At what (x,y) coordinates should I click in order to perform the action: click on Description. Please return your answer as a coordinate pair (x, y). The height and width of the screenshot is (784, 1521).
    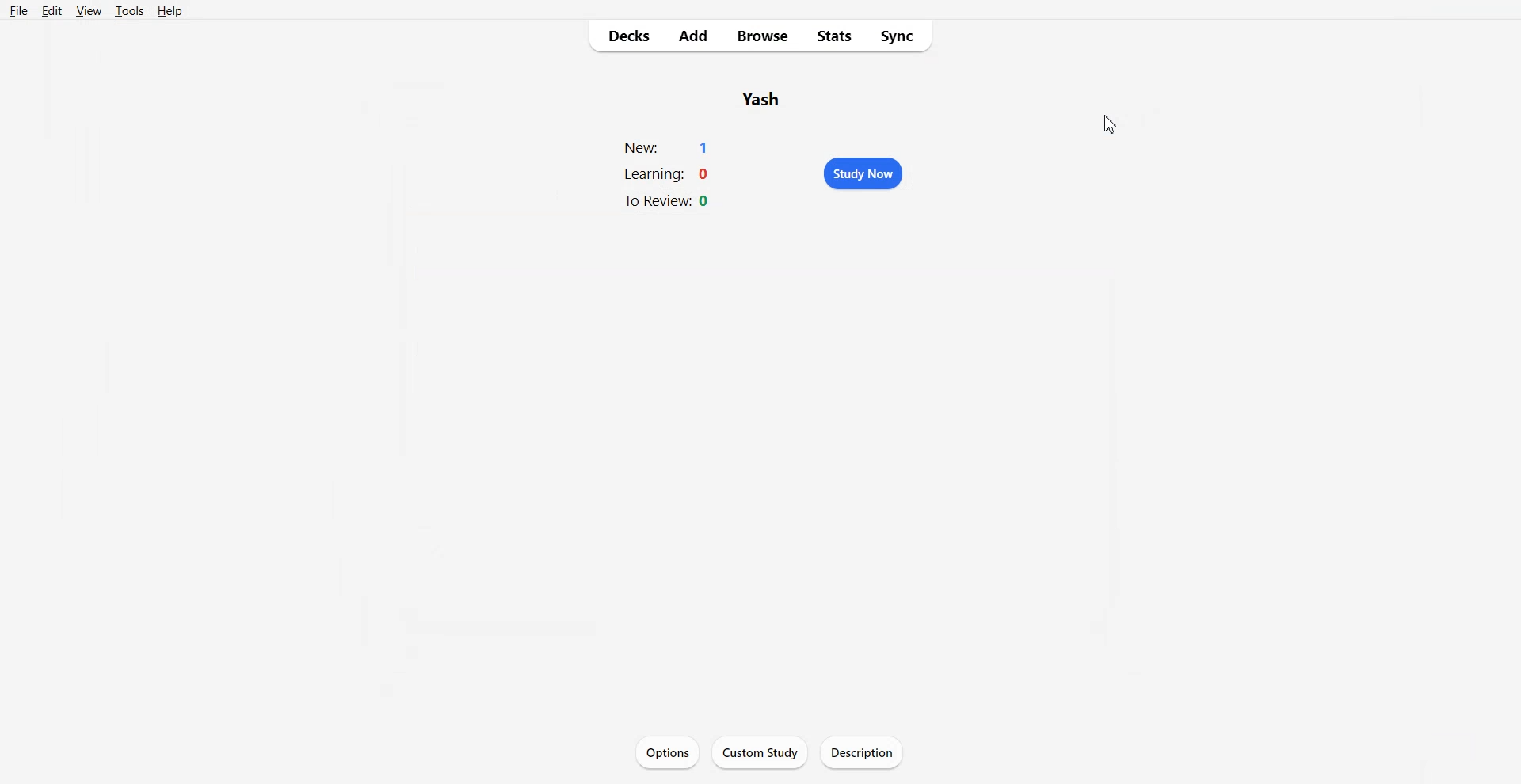
    Looking at the image, I should click on (859, 752).